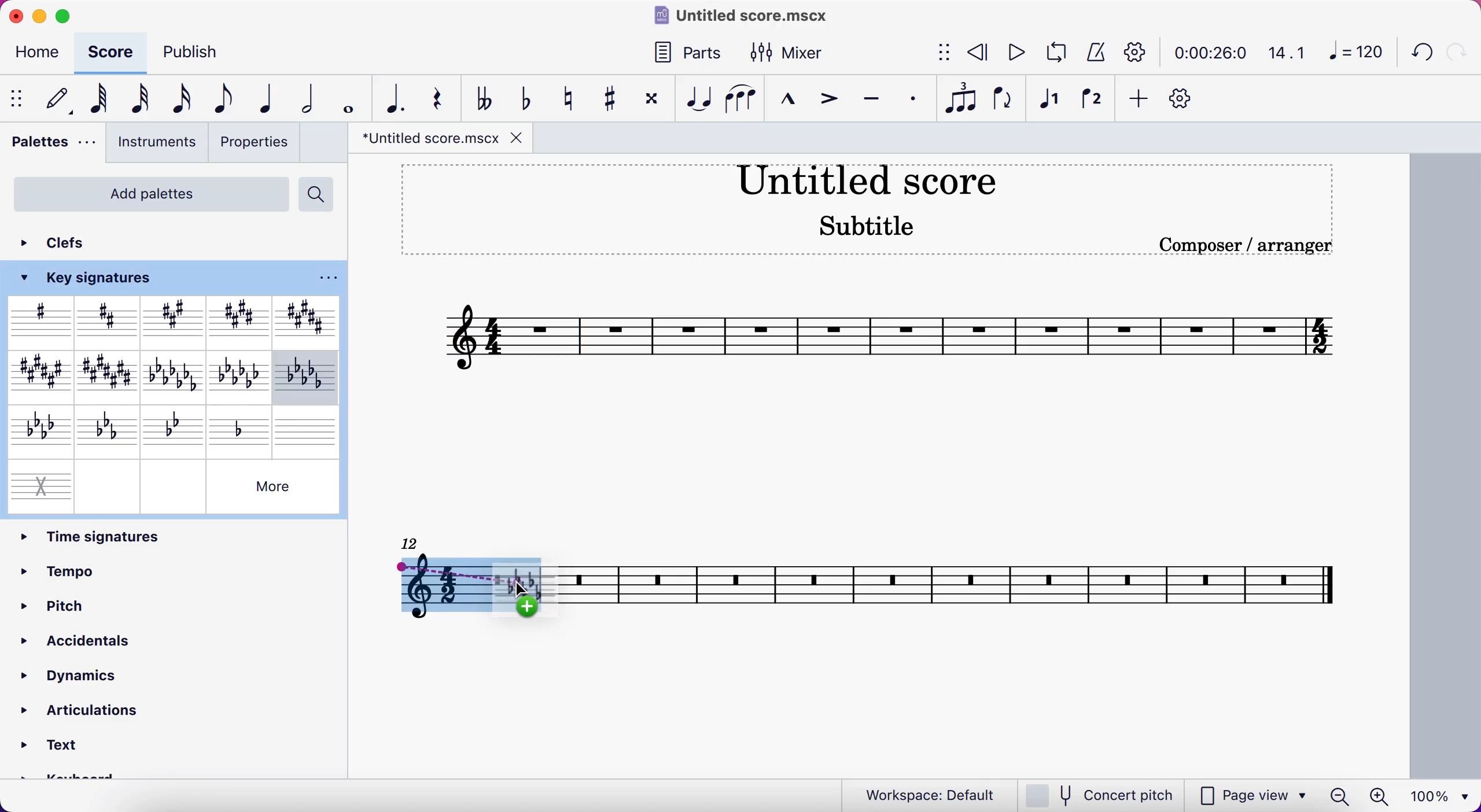 The image size is (1481, 812). Describe the element at coordinates (270, 98) in the screenshot. I see `quarter note` at that location.